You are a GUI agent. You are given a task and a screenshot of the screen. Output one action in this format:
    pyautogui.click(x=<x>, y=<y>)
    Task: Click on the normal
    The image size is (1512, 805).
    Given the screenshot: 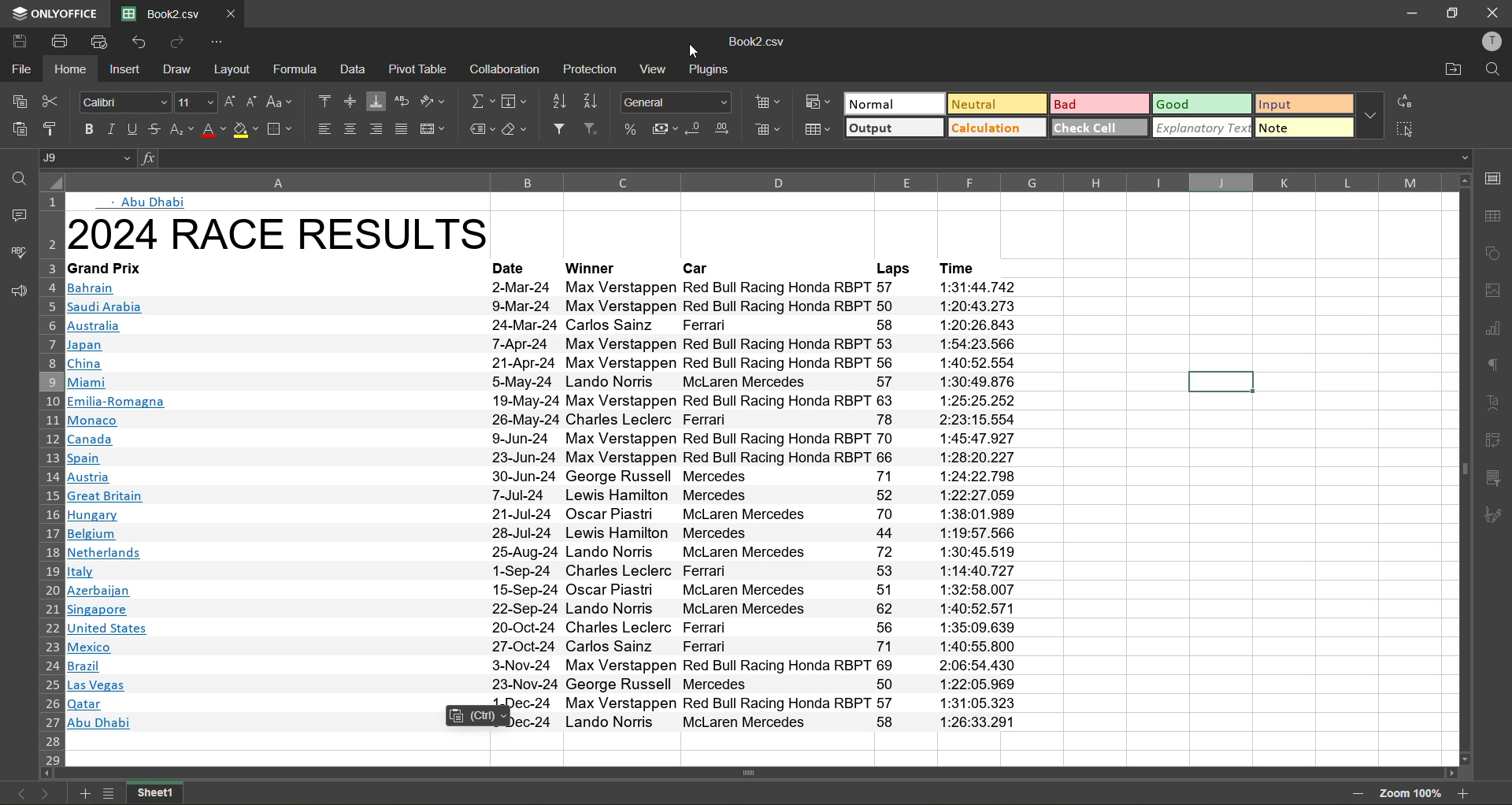 What is the action you would take?
    pyautogui.click(x=894, y=102)
    